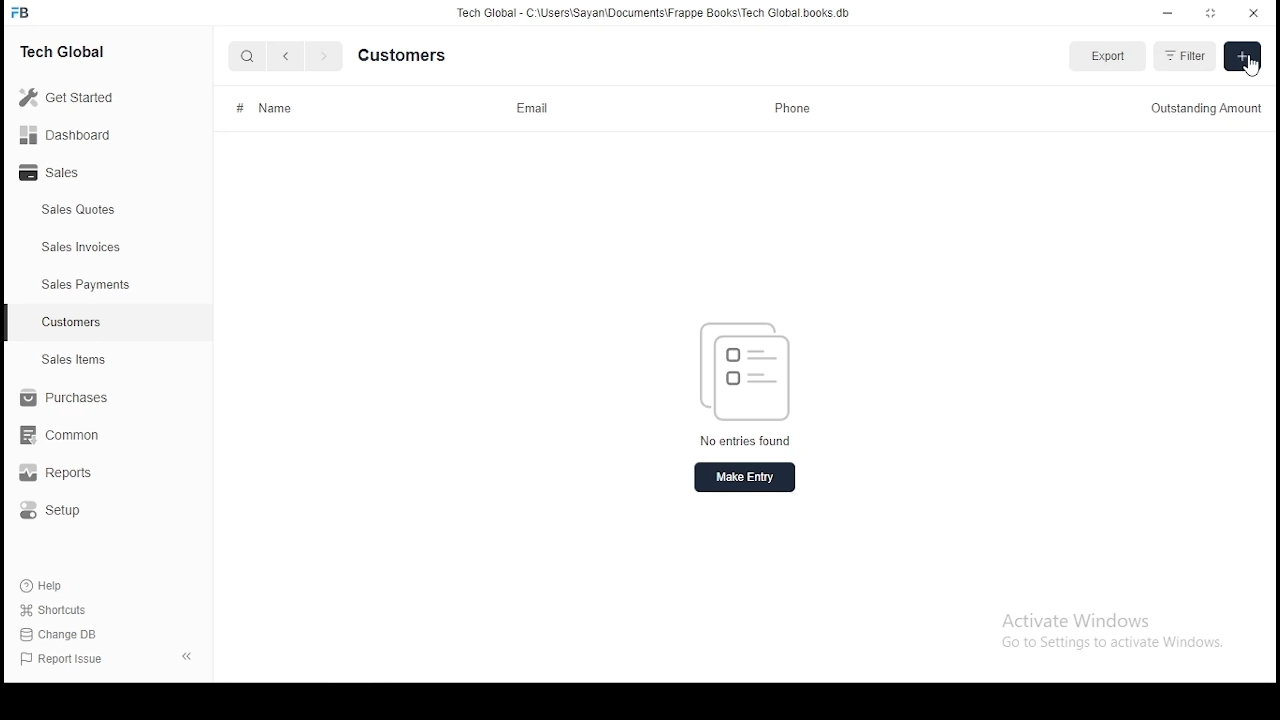 Image resolution: width=1280 pixels, height=720 pixels. I want to click on purchase, so click(59, 398).